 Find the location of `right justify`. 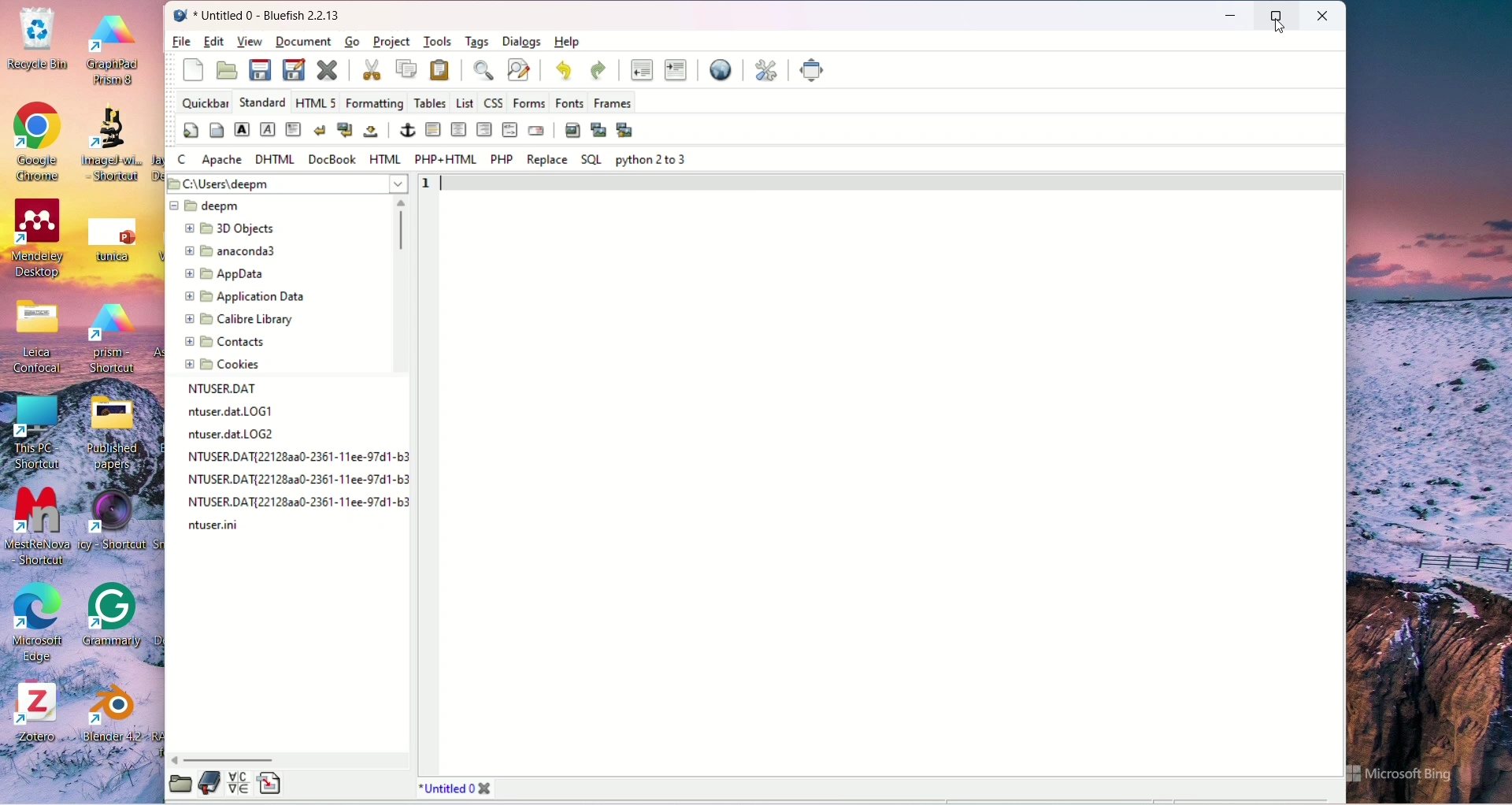

right justify is located at coordinates (484, 130).